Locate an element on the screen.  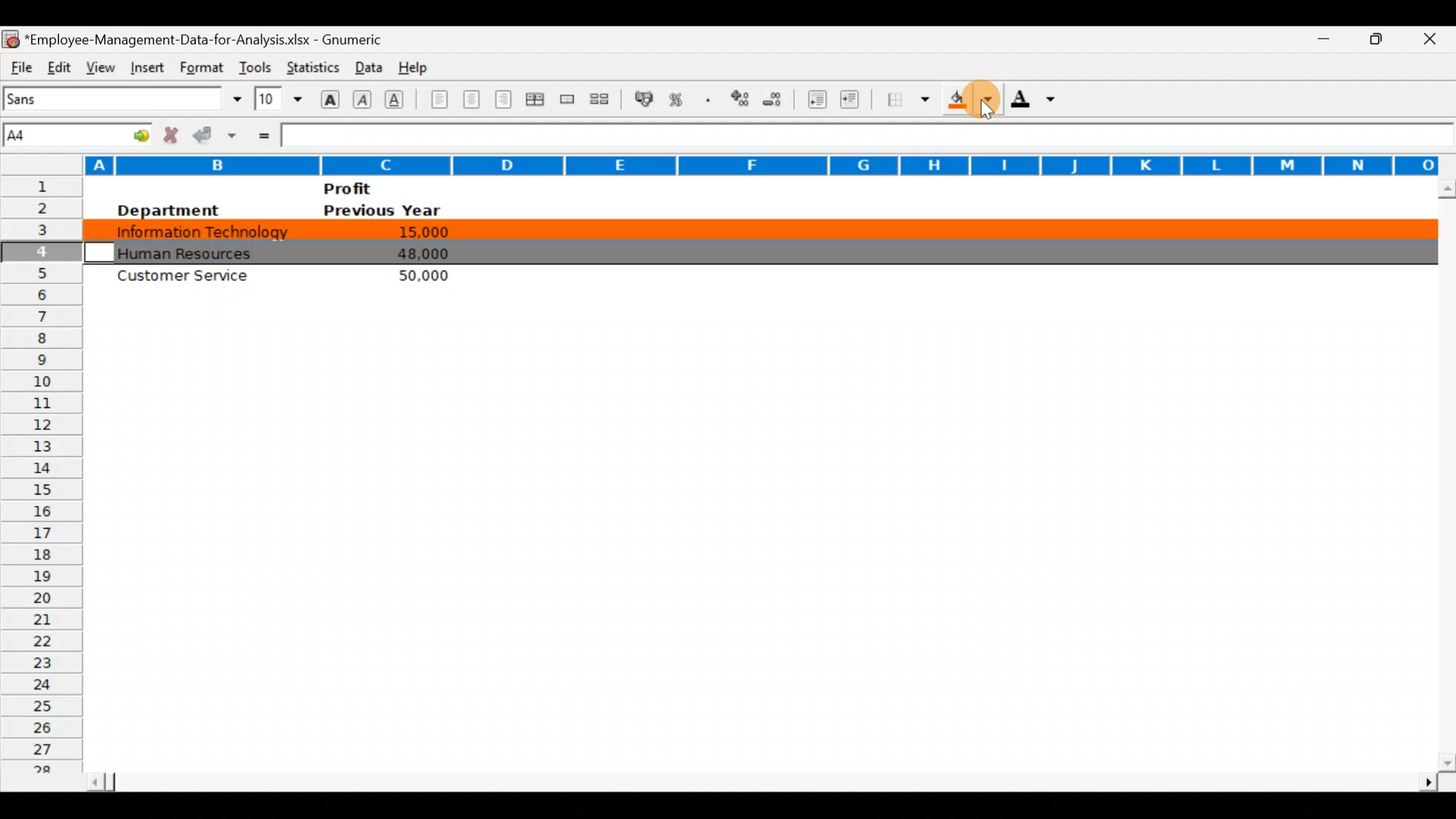
Close is located at coordinates (1435, 40).